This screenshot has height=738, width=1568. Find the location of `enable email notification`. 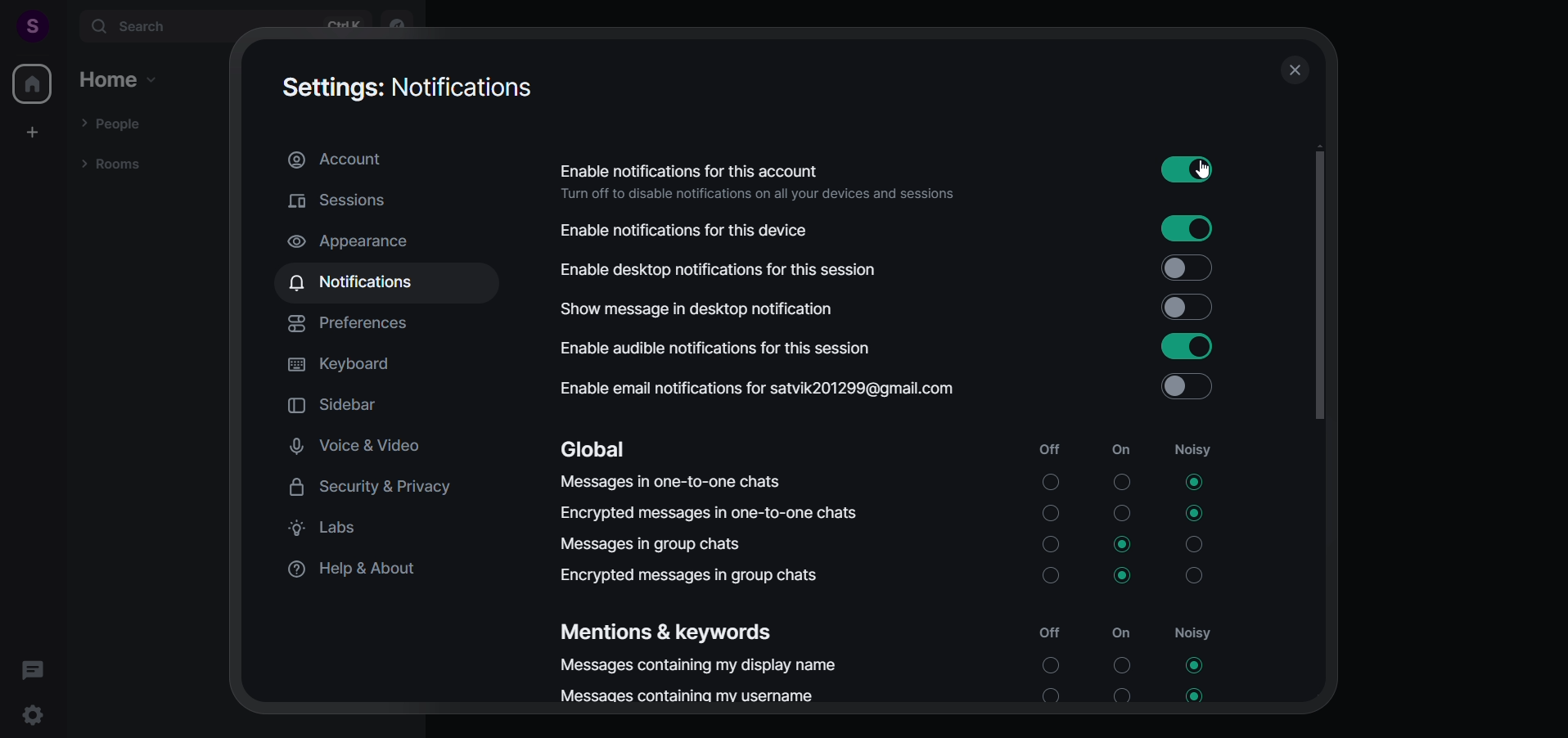

enable email notification is located at coordinates (912, 389).